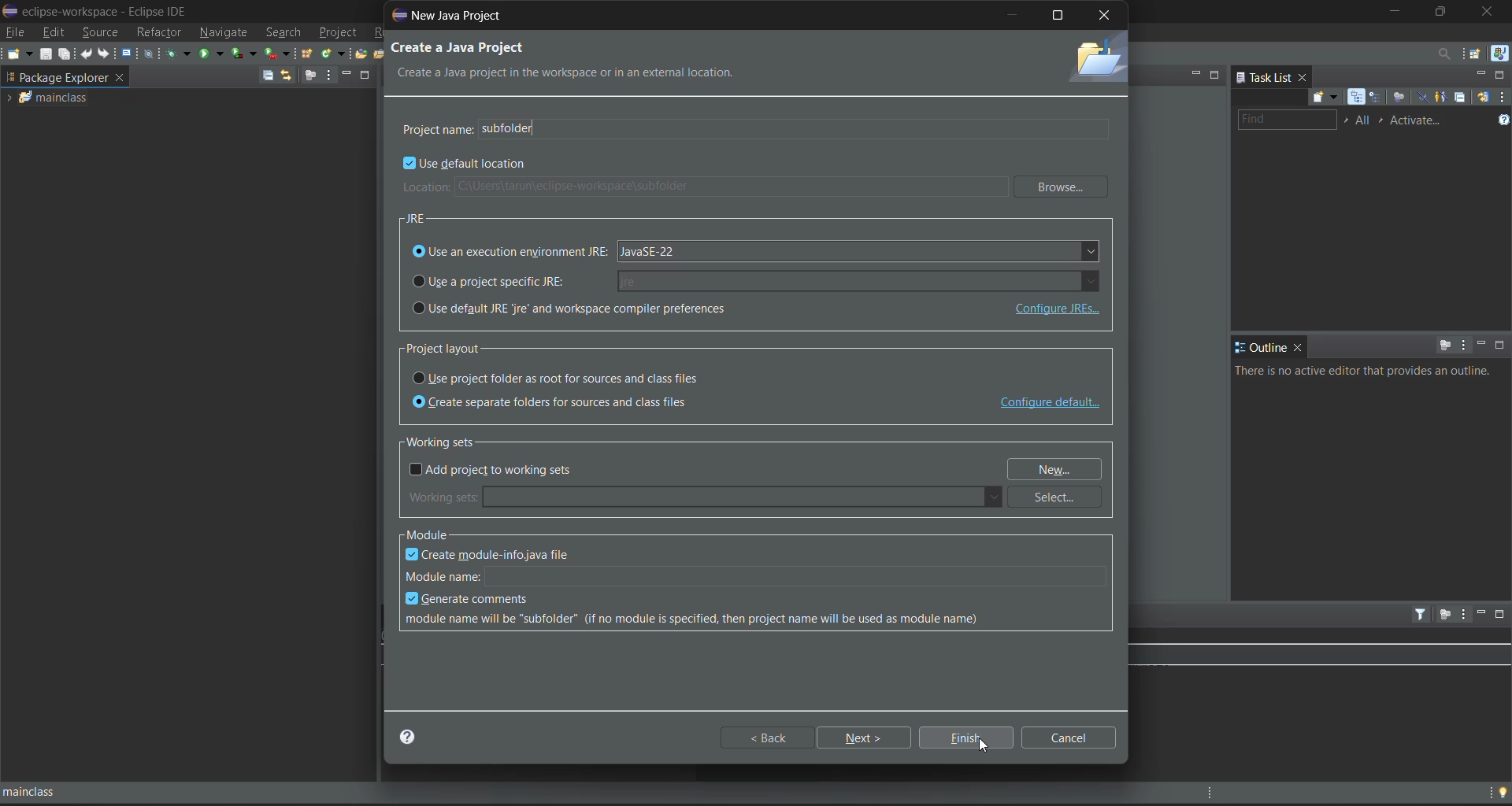 The height and width of the screenshot is (806, 1512). I want to click on edit working task sets, so click(1365, 121).